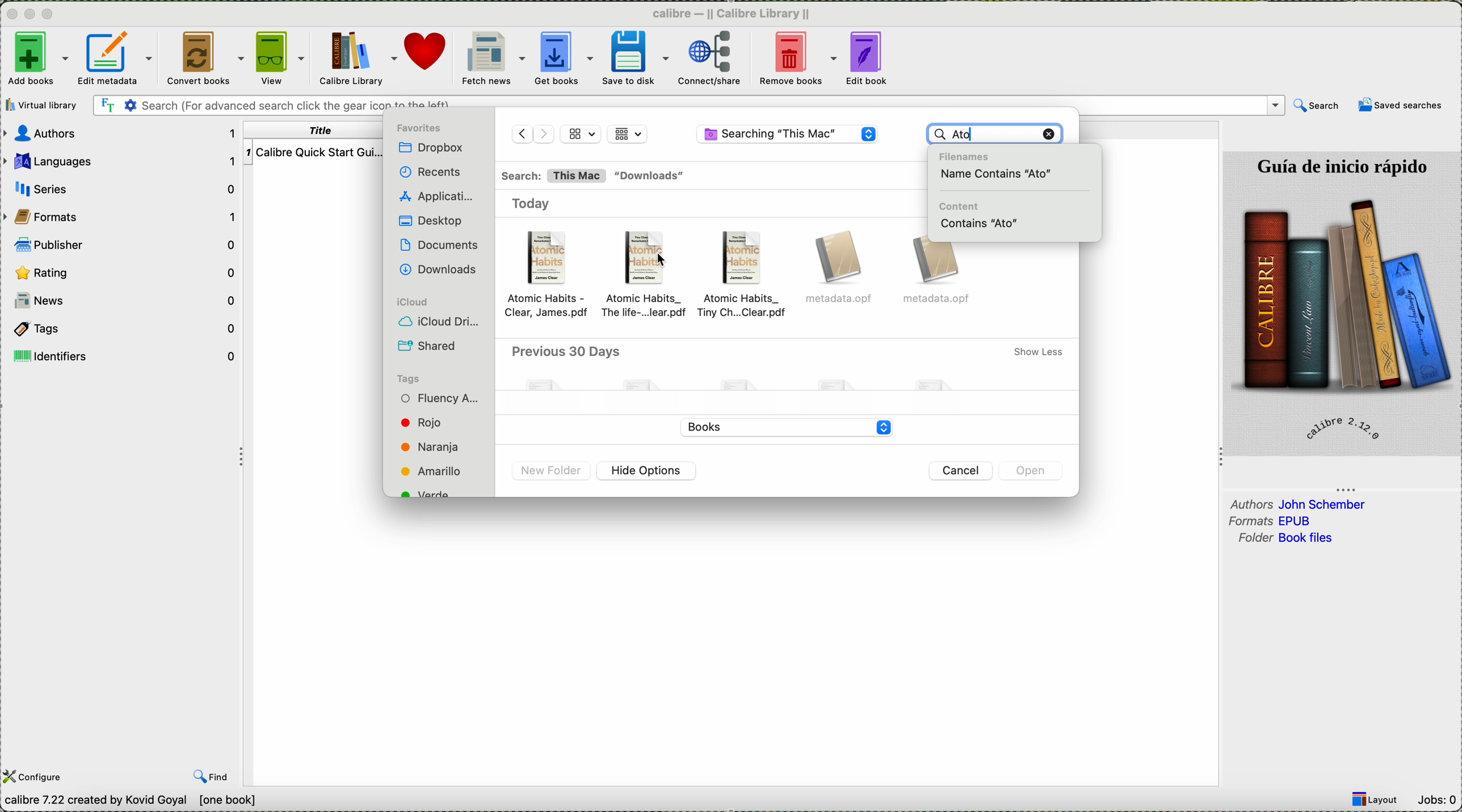  Describe the element at coordinates (788, 136) in the screenshot. I see `searching this mac` at that location.